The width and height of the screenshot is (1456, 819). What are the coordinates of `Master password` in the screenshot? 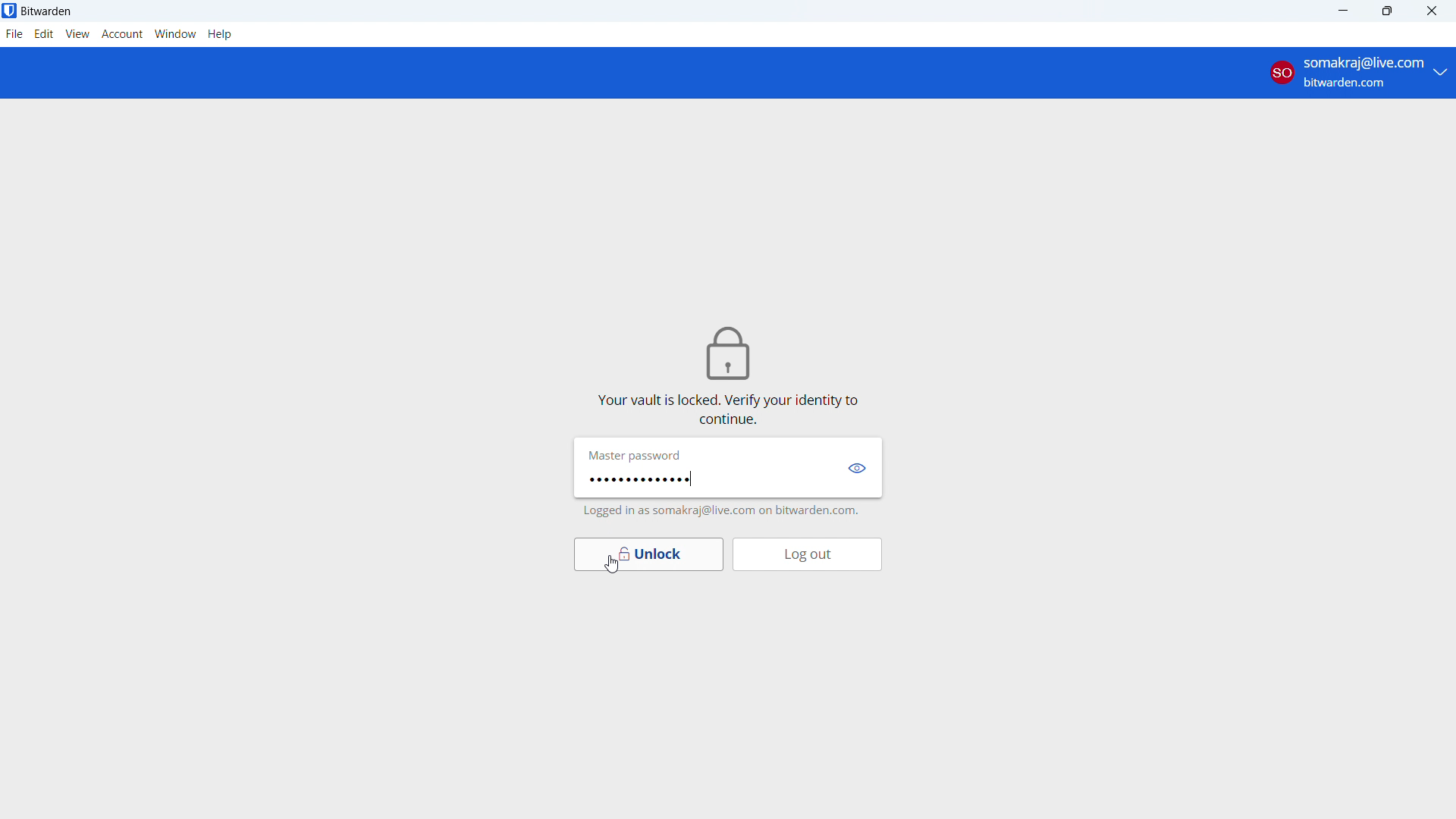 It's located at (636, 454).